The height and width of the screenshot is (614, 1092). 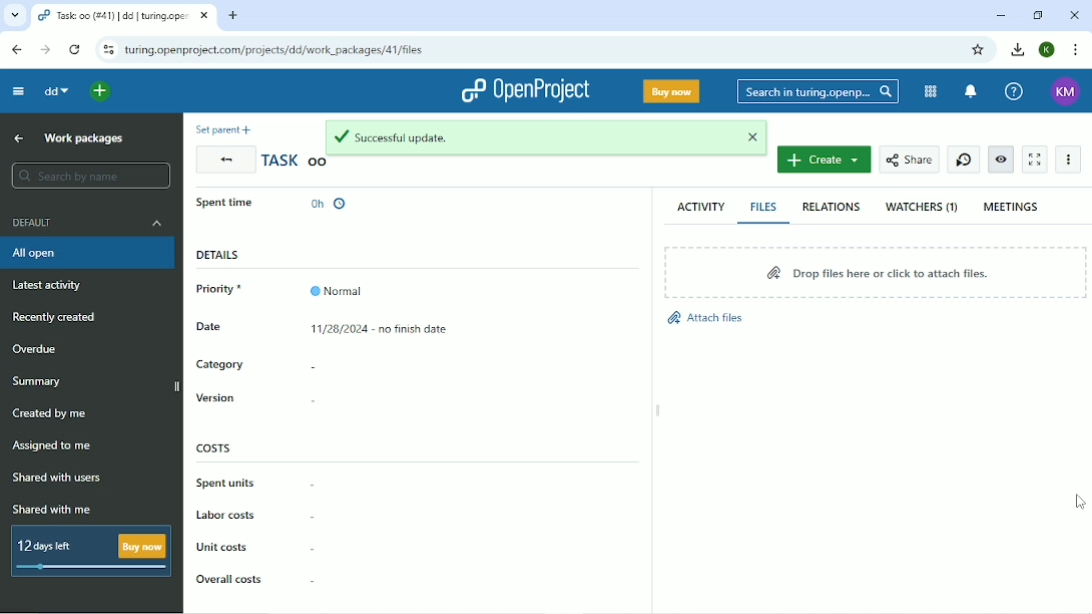 What do you see at coordinates (45, 50) in the screenshot?
I see `Forward` at bounding box center [45, 50].